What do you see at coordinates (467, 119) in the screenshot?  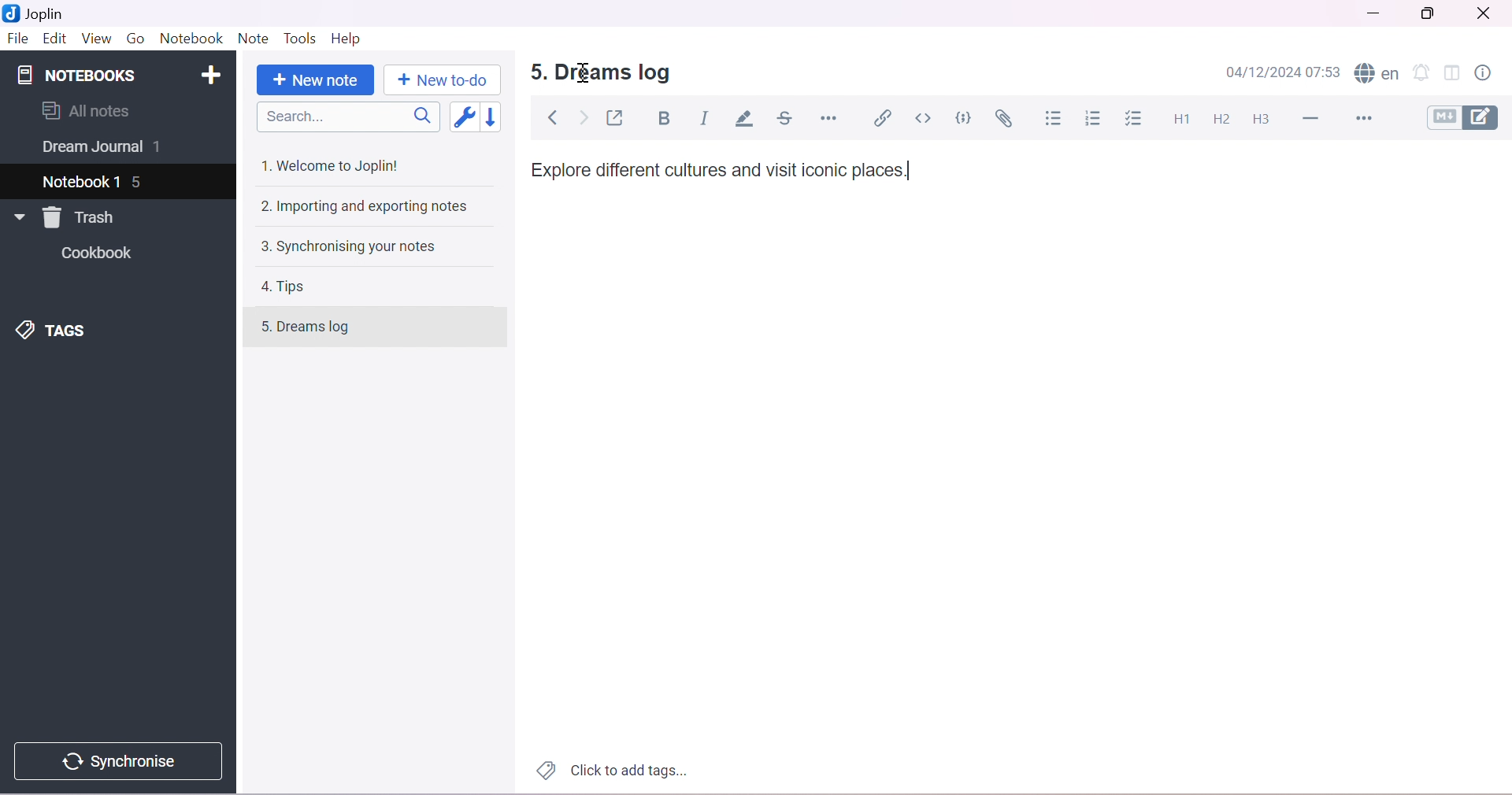 I see `Toggle sort order field` at bounding box center [467, 119].